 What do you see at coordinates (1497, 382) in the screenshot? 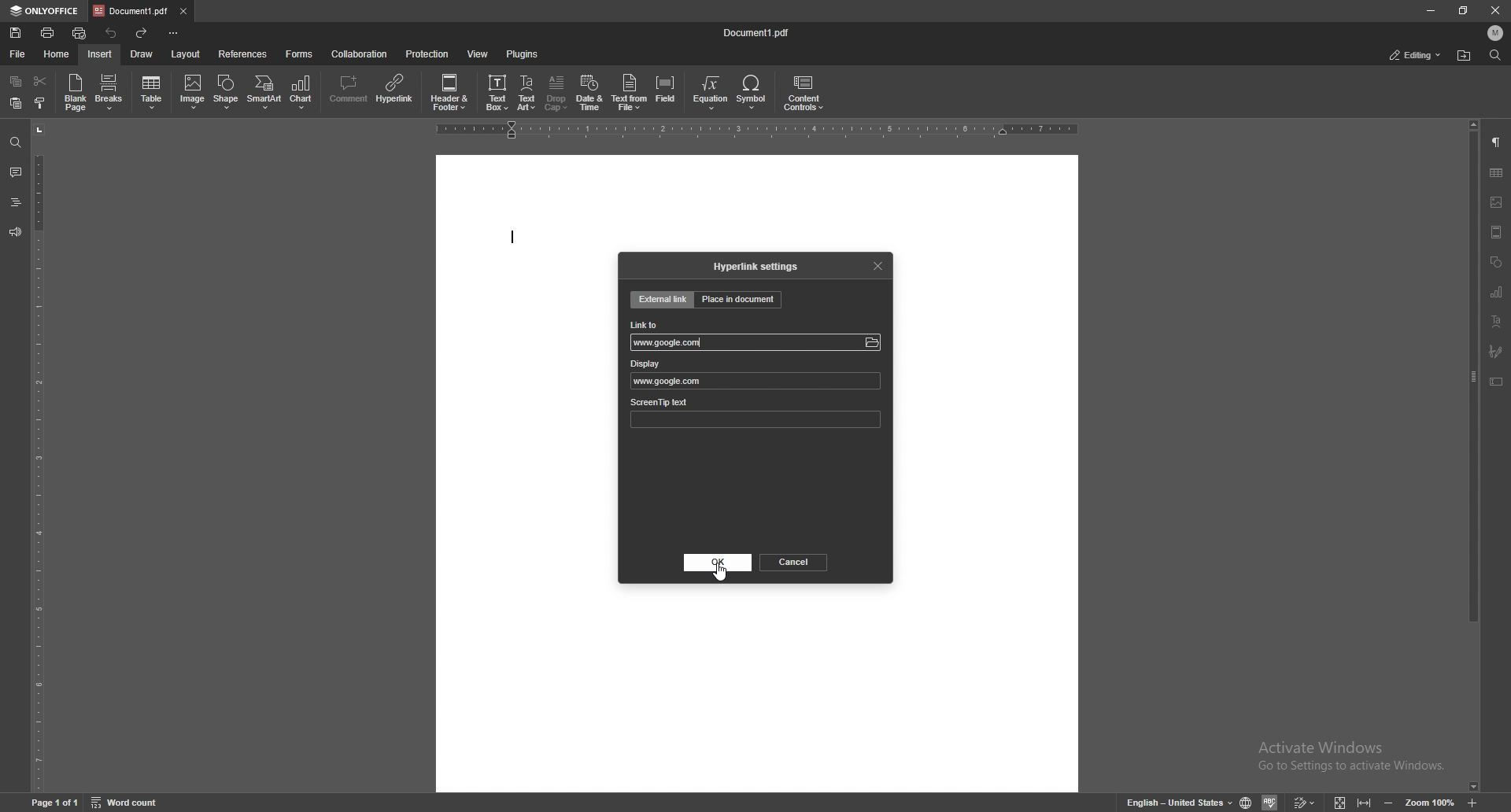
I see `text box` at bounding box center [1497, 382].